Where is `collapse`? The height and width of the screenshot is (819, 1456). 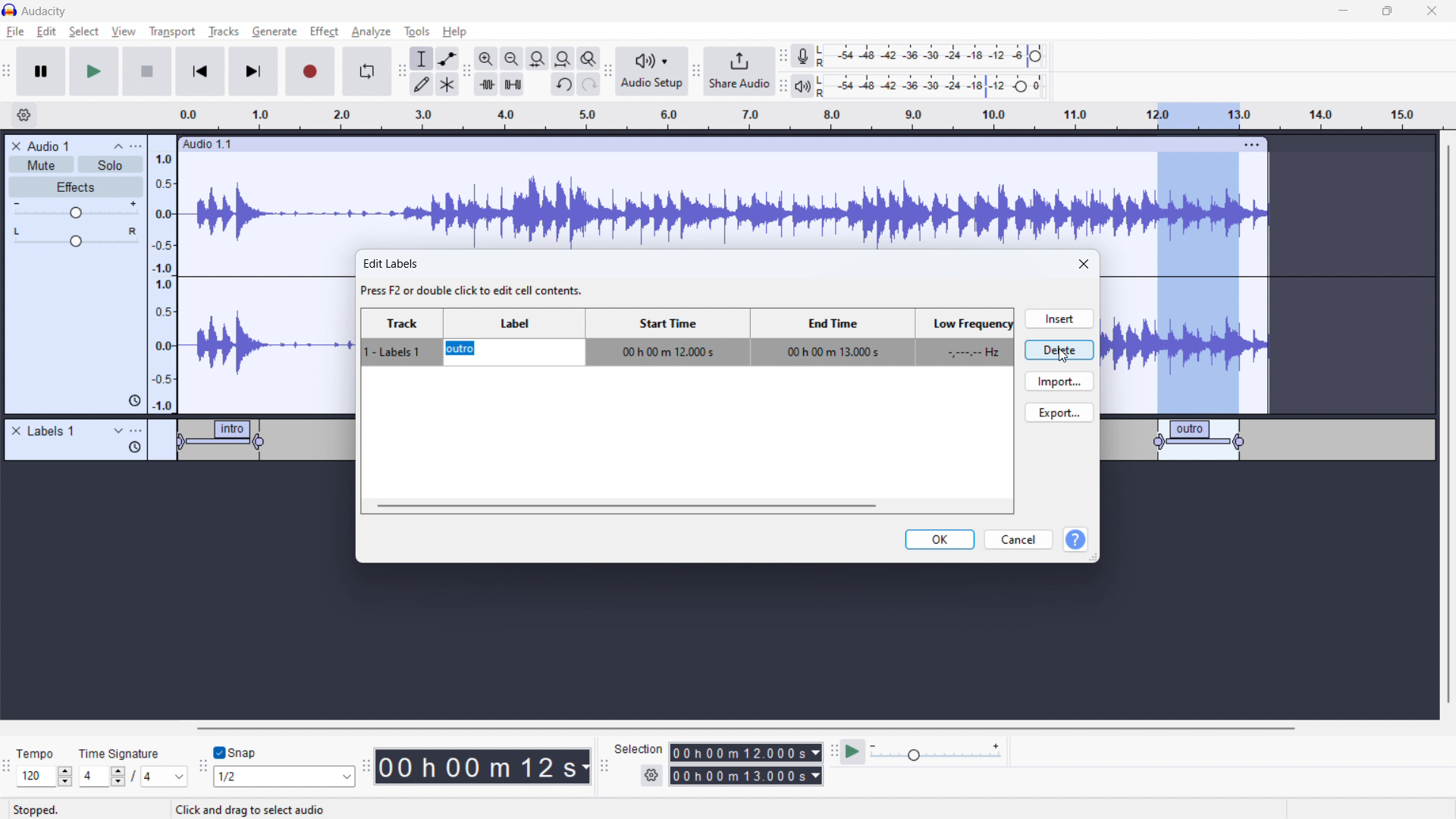 collapse is located at coordinates (118, 146).